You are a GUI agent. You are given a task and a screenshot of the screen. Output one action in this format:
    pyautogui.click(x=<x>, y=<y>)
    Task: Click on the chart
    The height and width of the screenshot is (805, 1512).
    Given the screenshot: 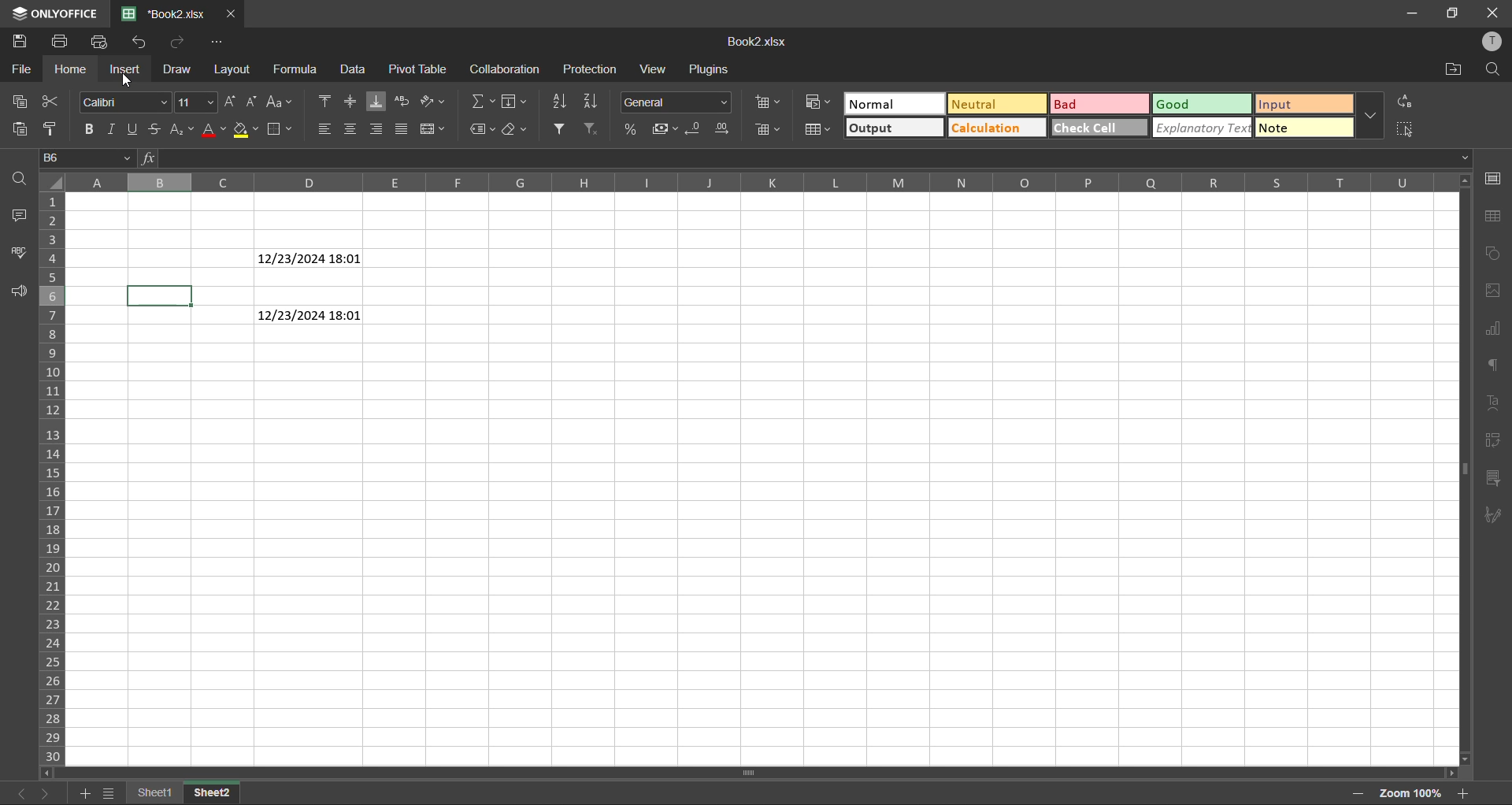 What is the action you would take?
    pyautogui.click(x=1492, y=253)
    